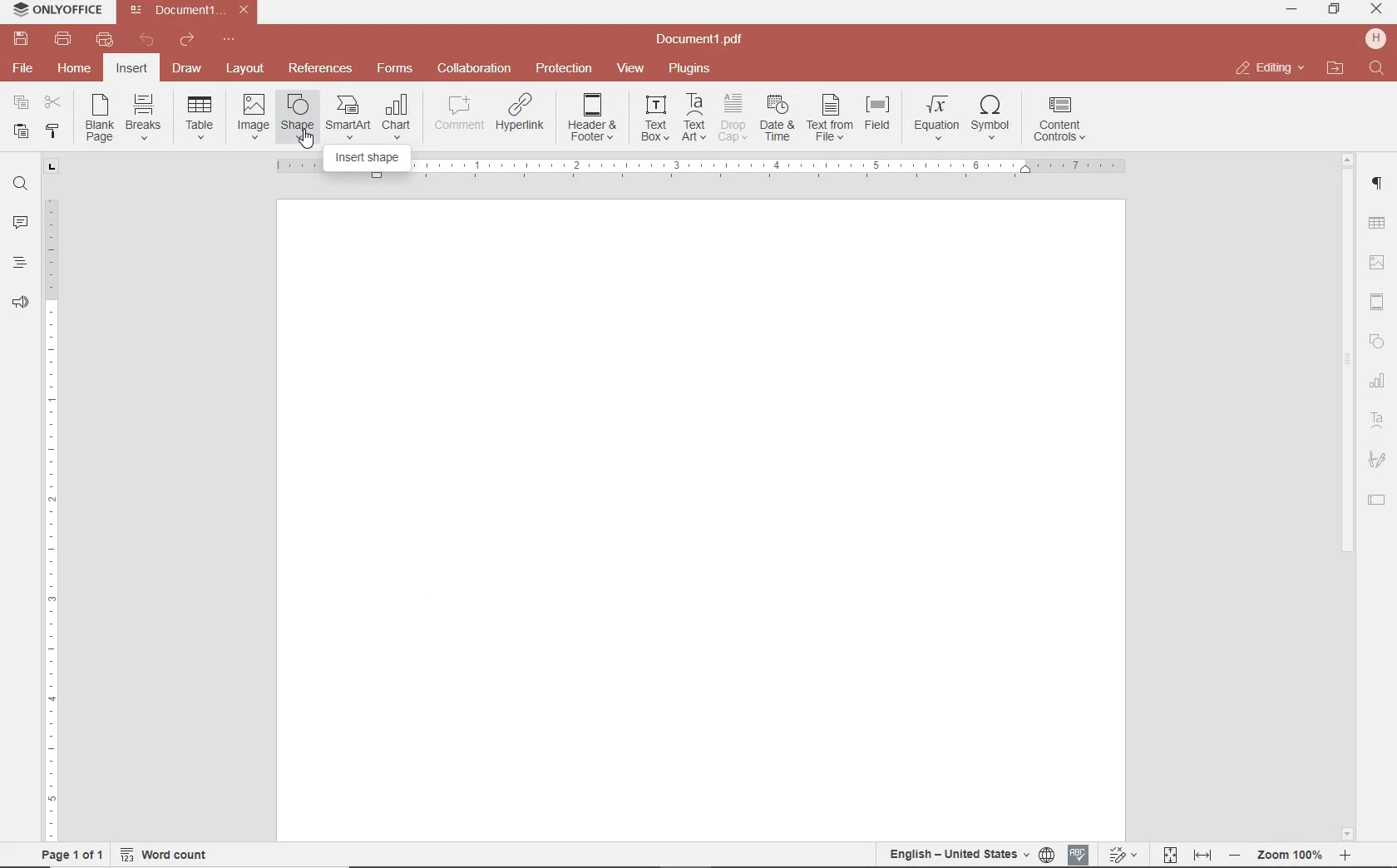  I want to click on cut, so click(52, 104).